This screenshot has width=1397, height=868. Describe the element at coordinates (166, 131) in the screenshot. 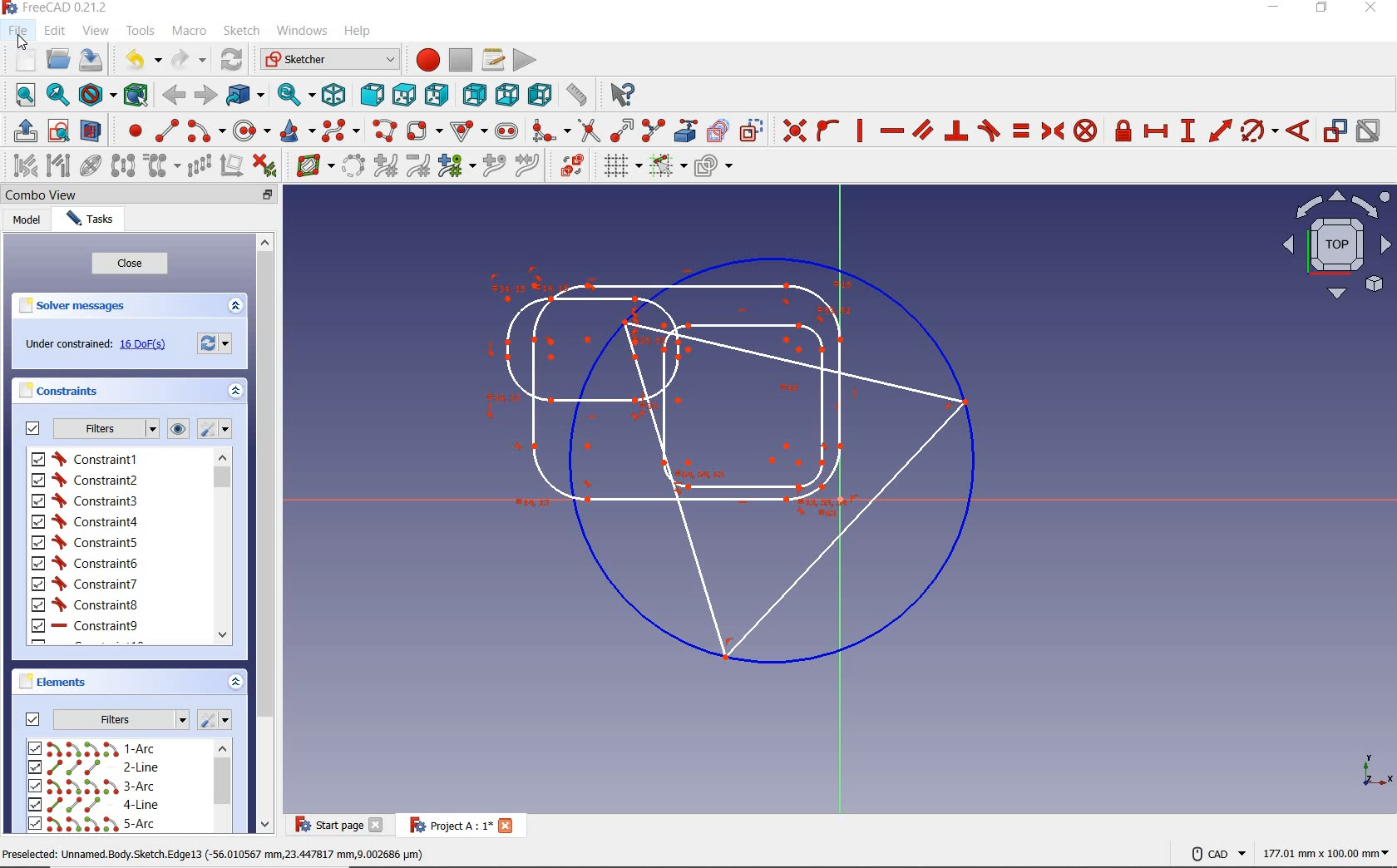

I see `create line` at that location.